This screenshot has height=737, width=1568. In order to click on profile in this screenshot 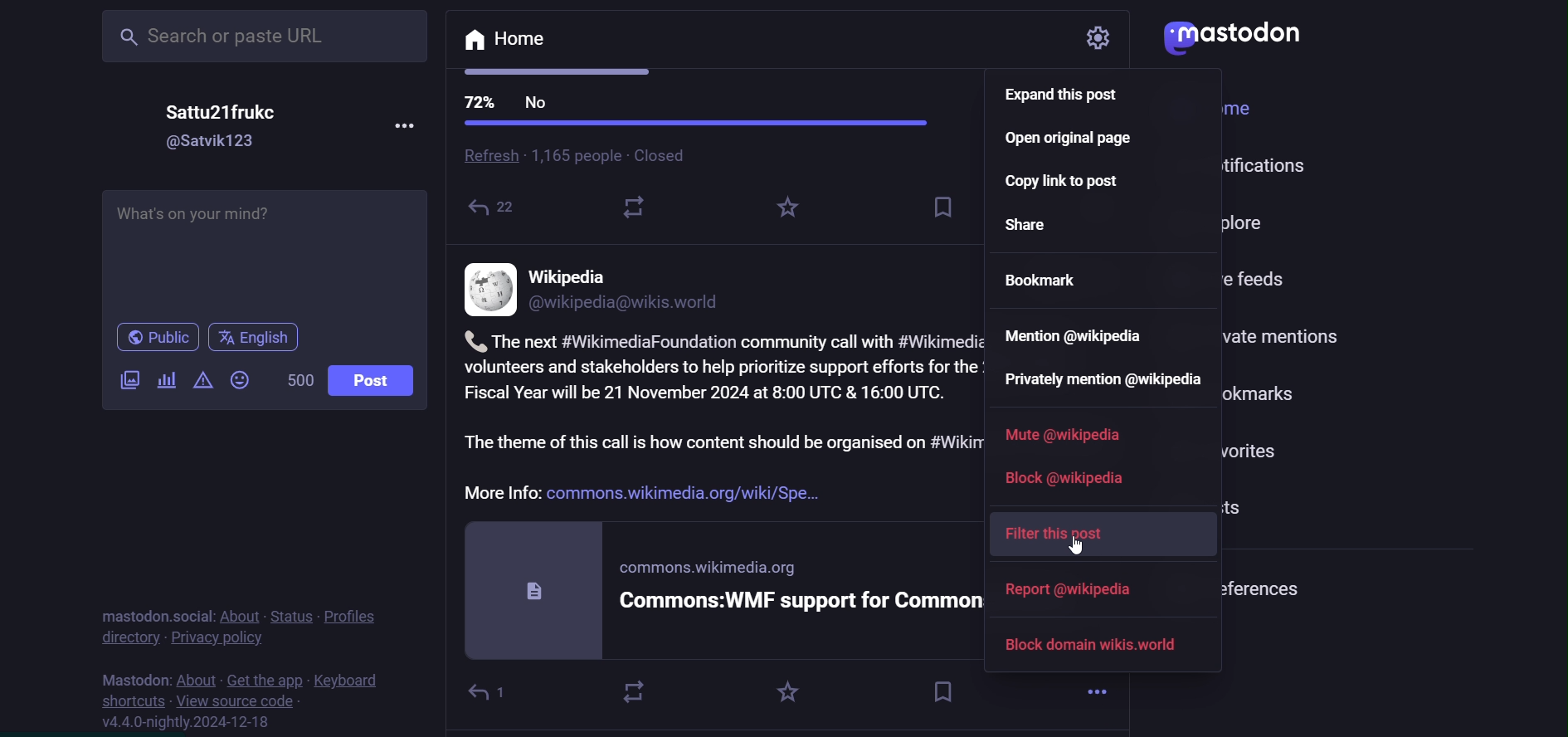, I will do `click(350, 616)`.